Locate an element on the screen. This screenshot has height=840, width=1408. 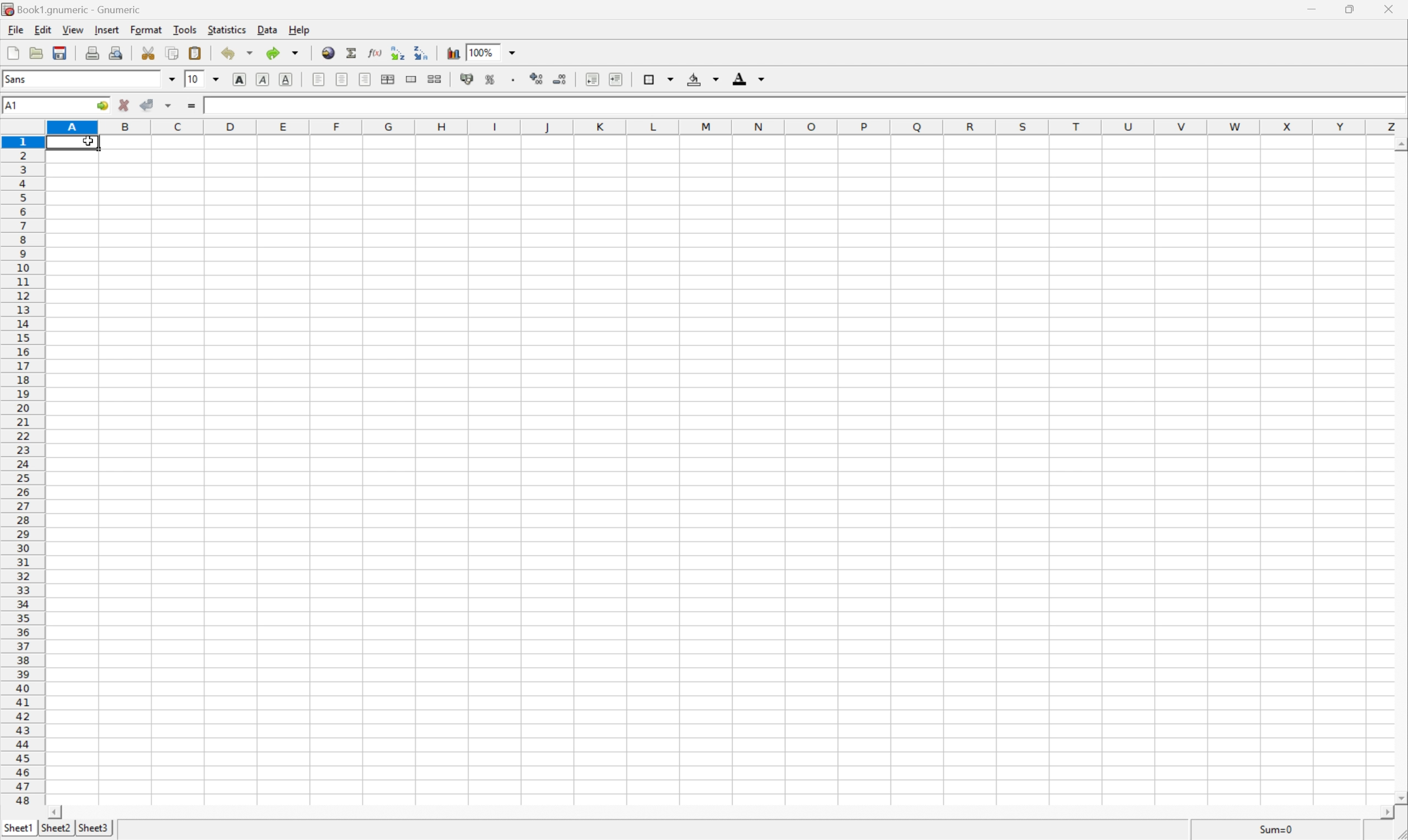
book1.gnumeric - Gnumeric is located at coordinates (72, 9).